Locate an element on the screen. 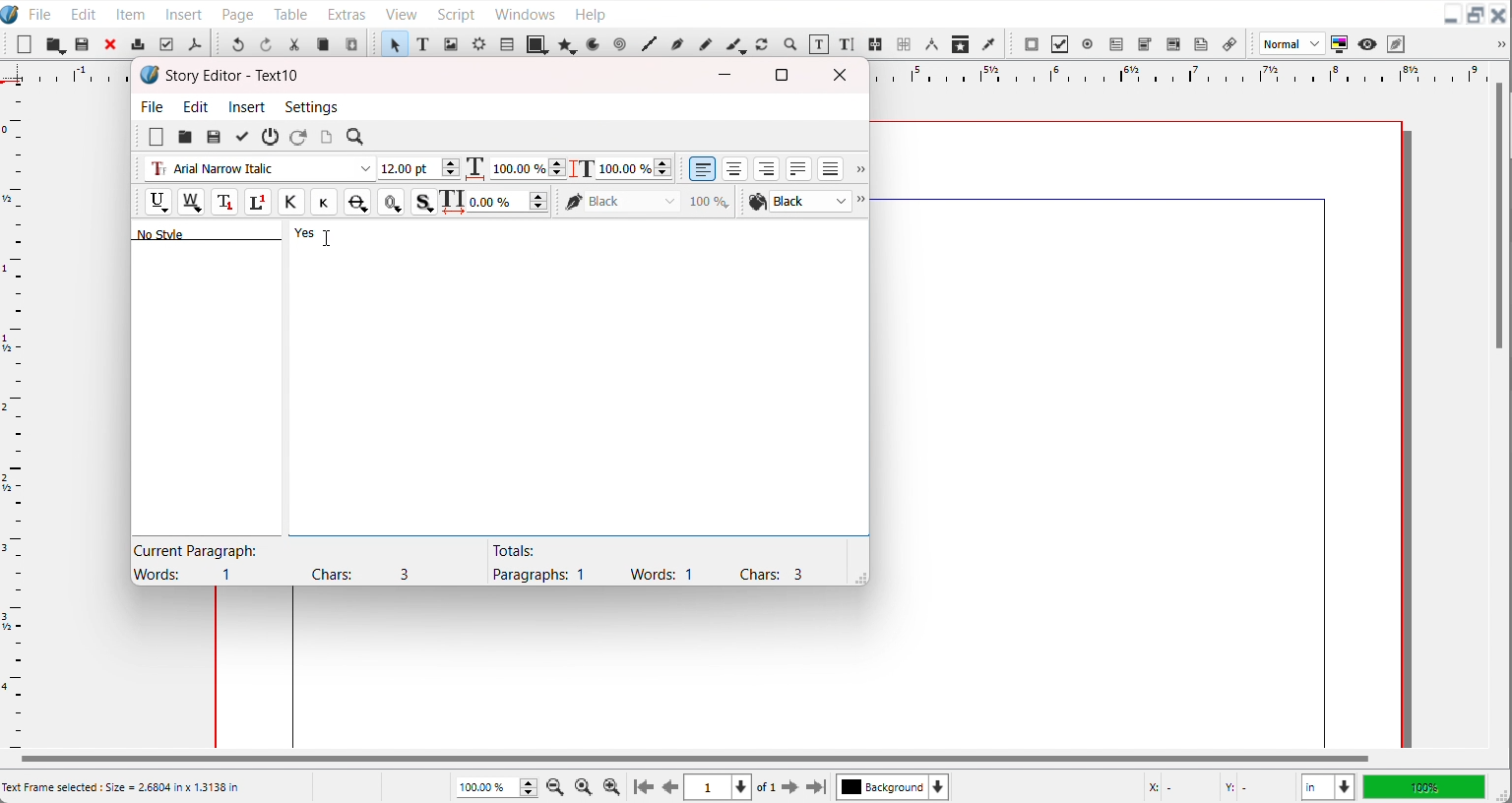  Save is located at coordinates (55, 44).